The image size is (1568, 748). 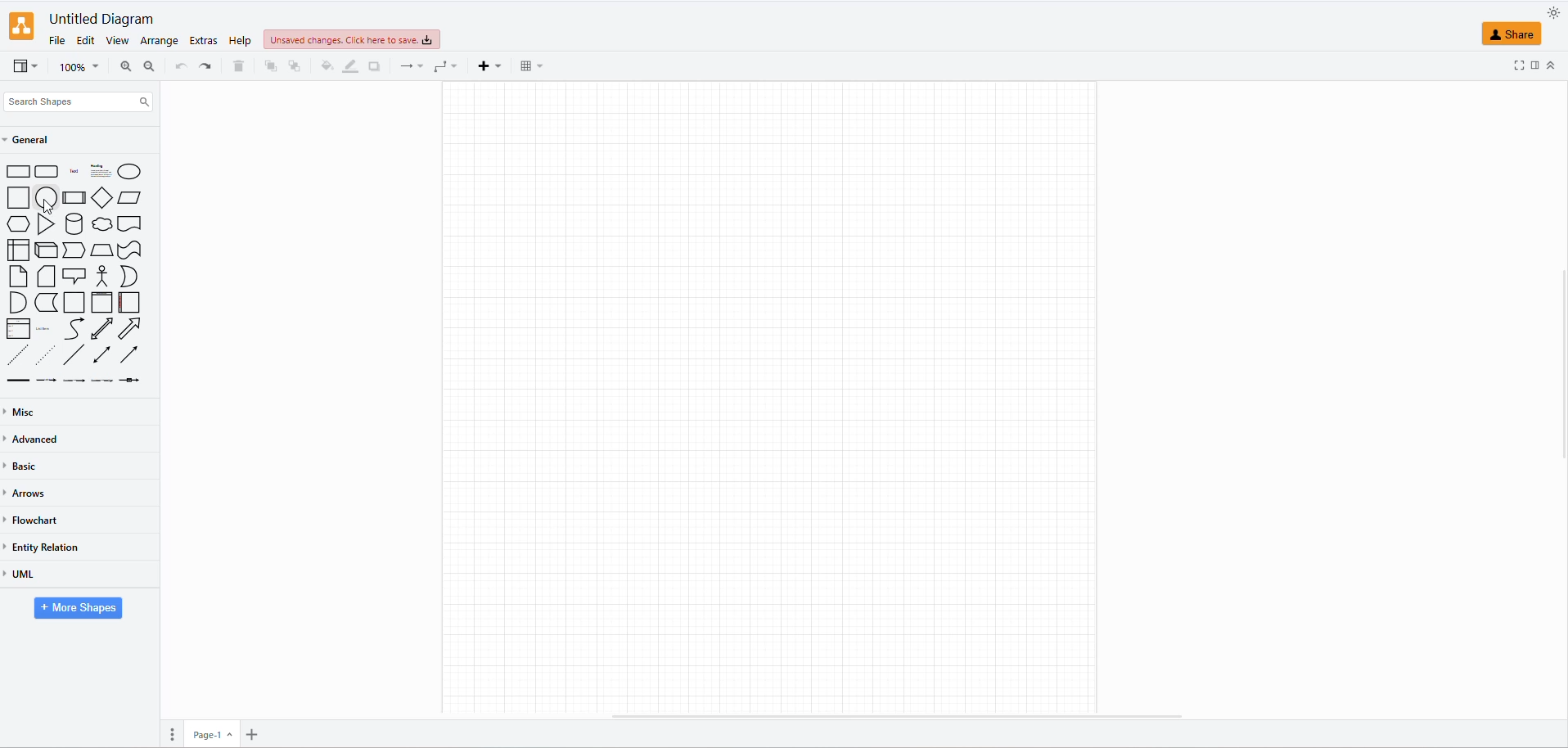 What do you see at coordinates (16, 303) in the screenshot?
I see `AND` at bounding box center [16, 303].